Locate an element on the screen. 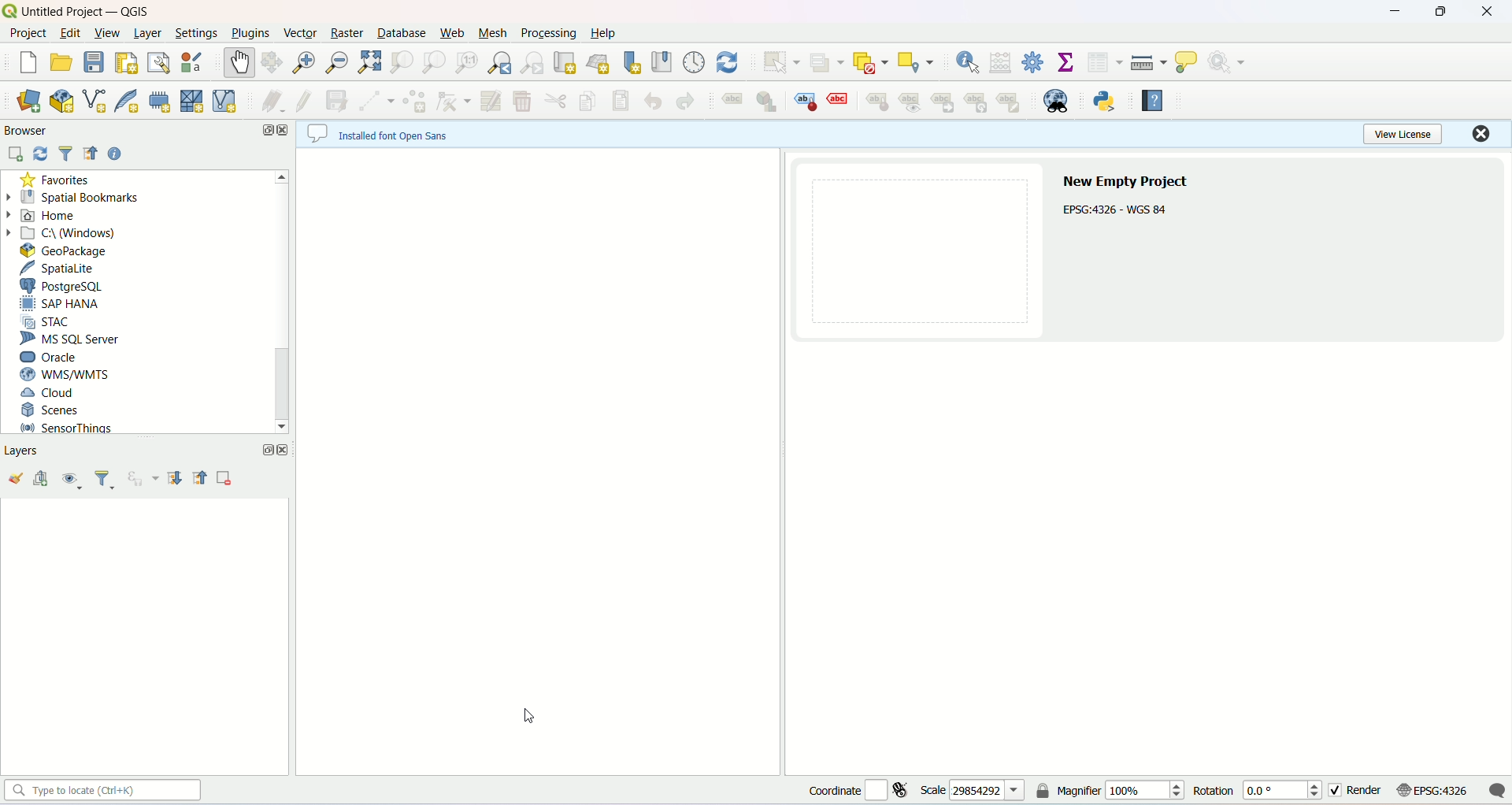  highlight pinned labels, diagrams and callouts is located at coordinates (802, 99).